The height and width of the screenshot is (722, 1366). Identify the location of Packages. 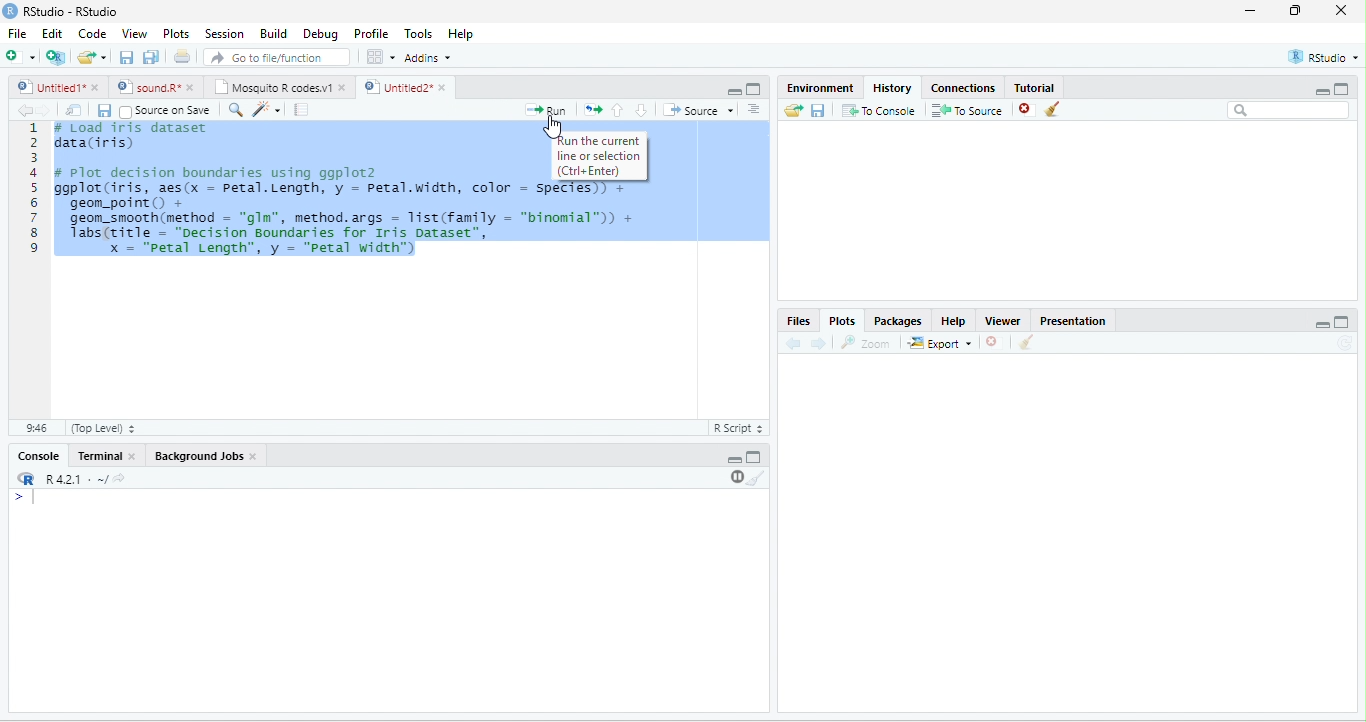
(898, 322).